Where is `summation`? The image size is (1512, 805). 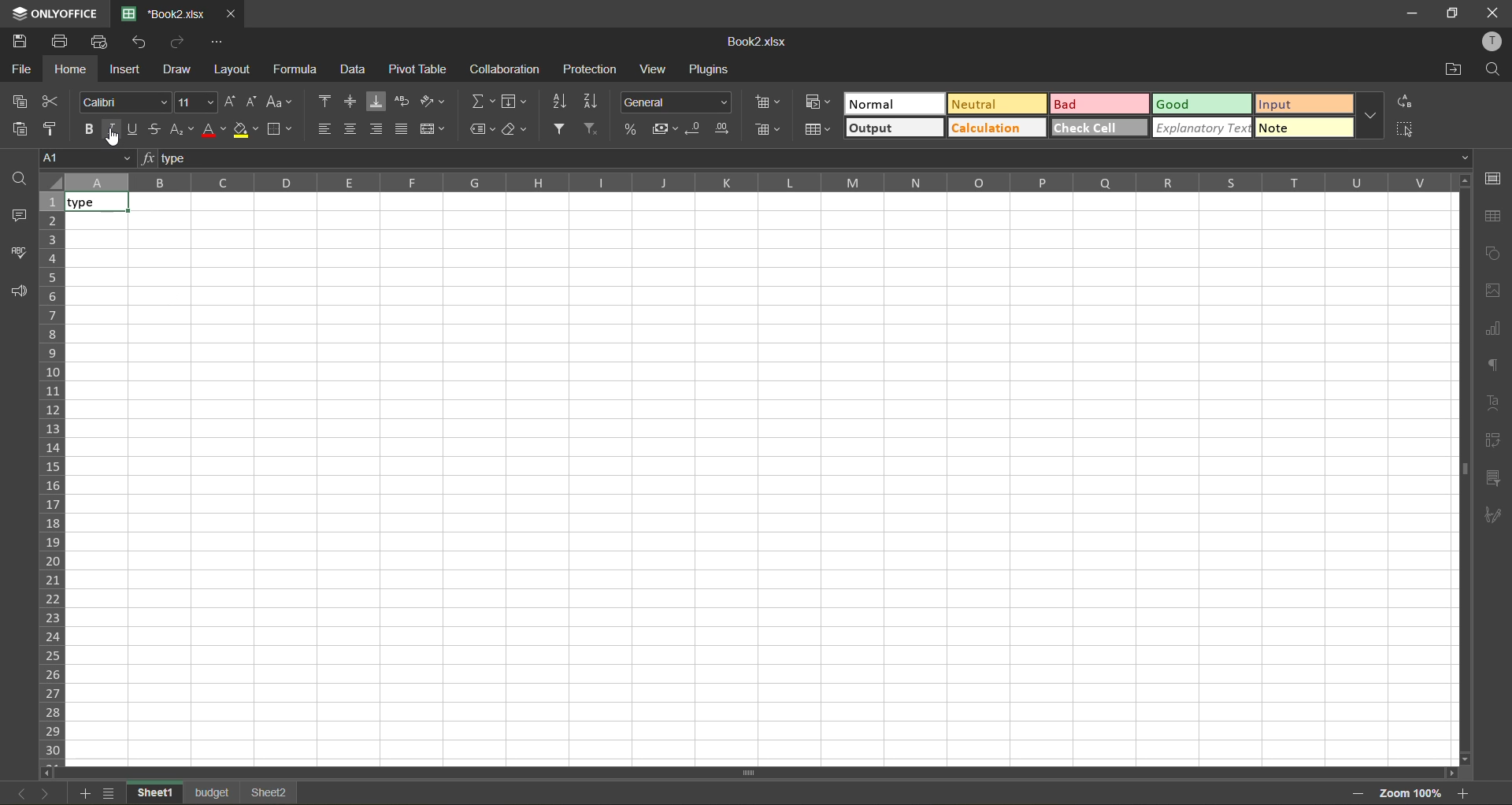
summation is located at coordinates (482, 105).